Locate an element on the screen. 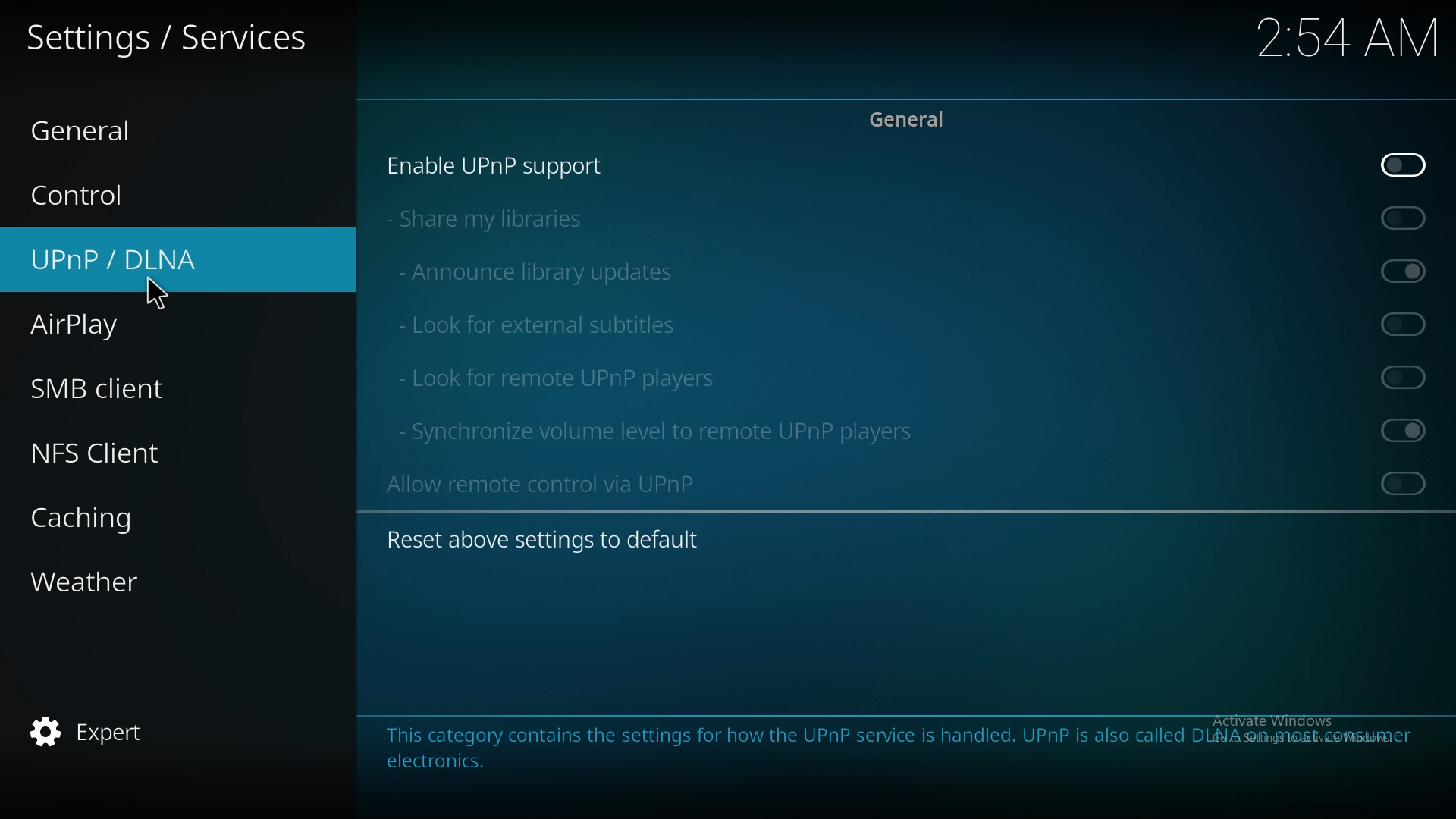  on (Greyed out) is located at coordinates (1409, 271).